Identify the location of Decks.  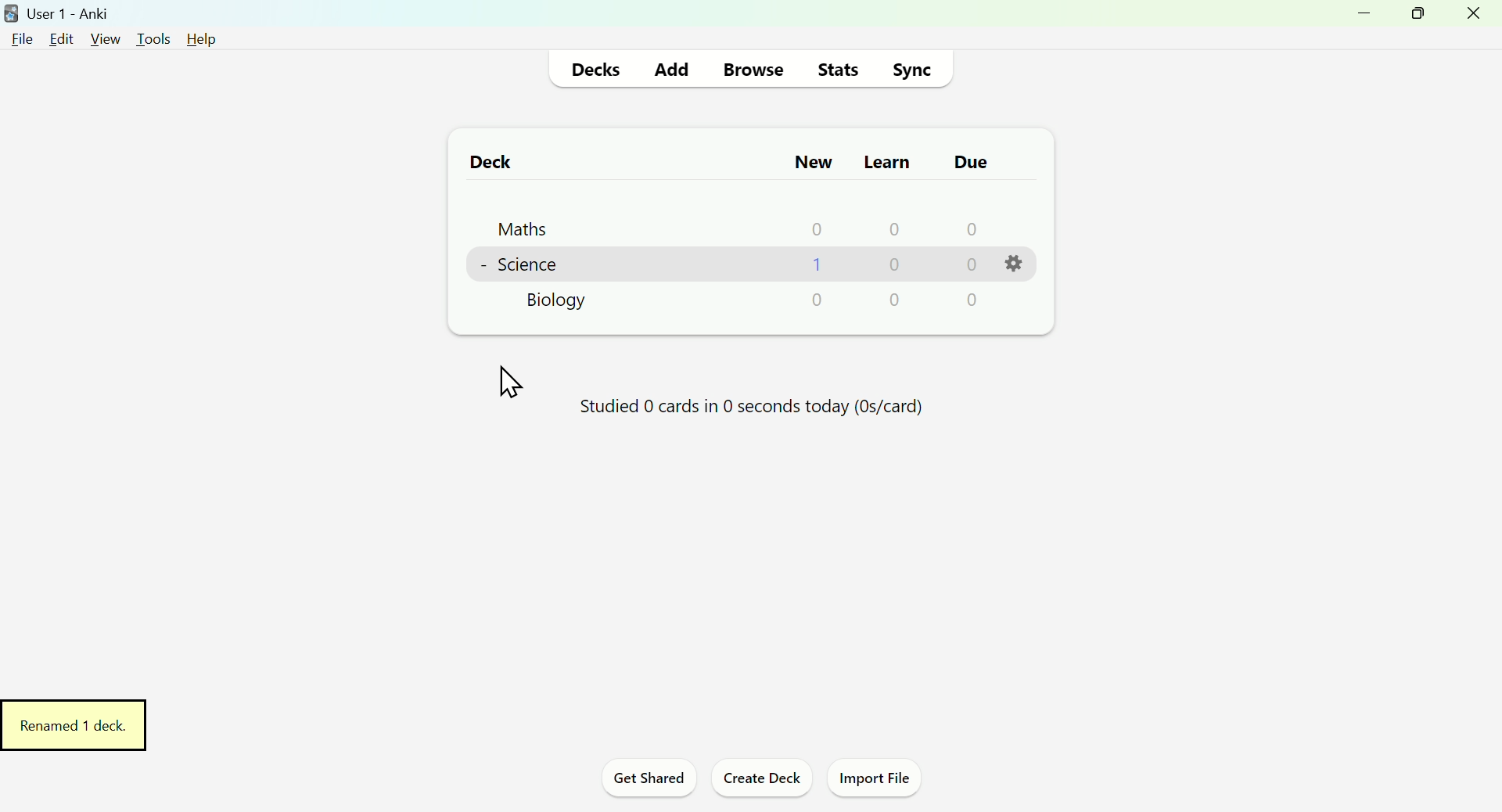
(599, 68).